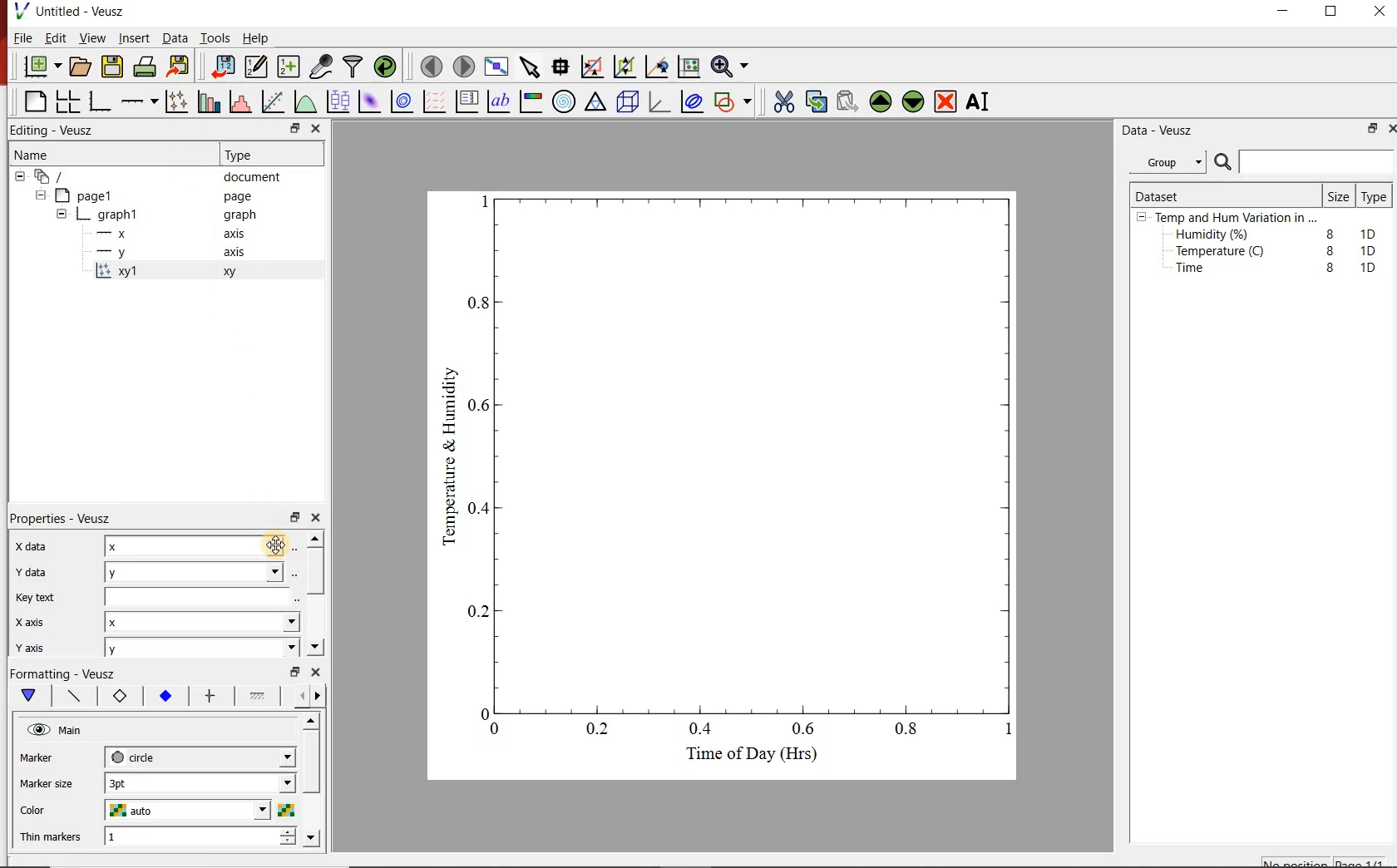 Image resolution: width=1397 pixels, height=868 pixels. I want to click on Data - Veusz, so click(1161, 131).